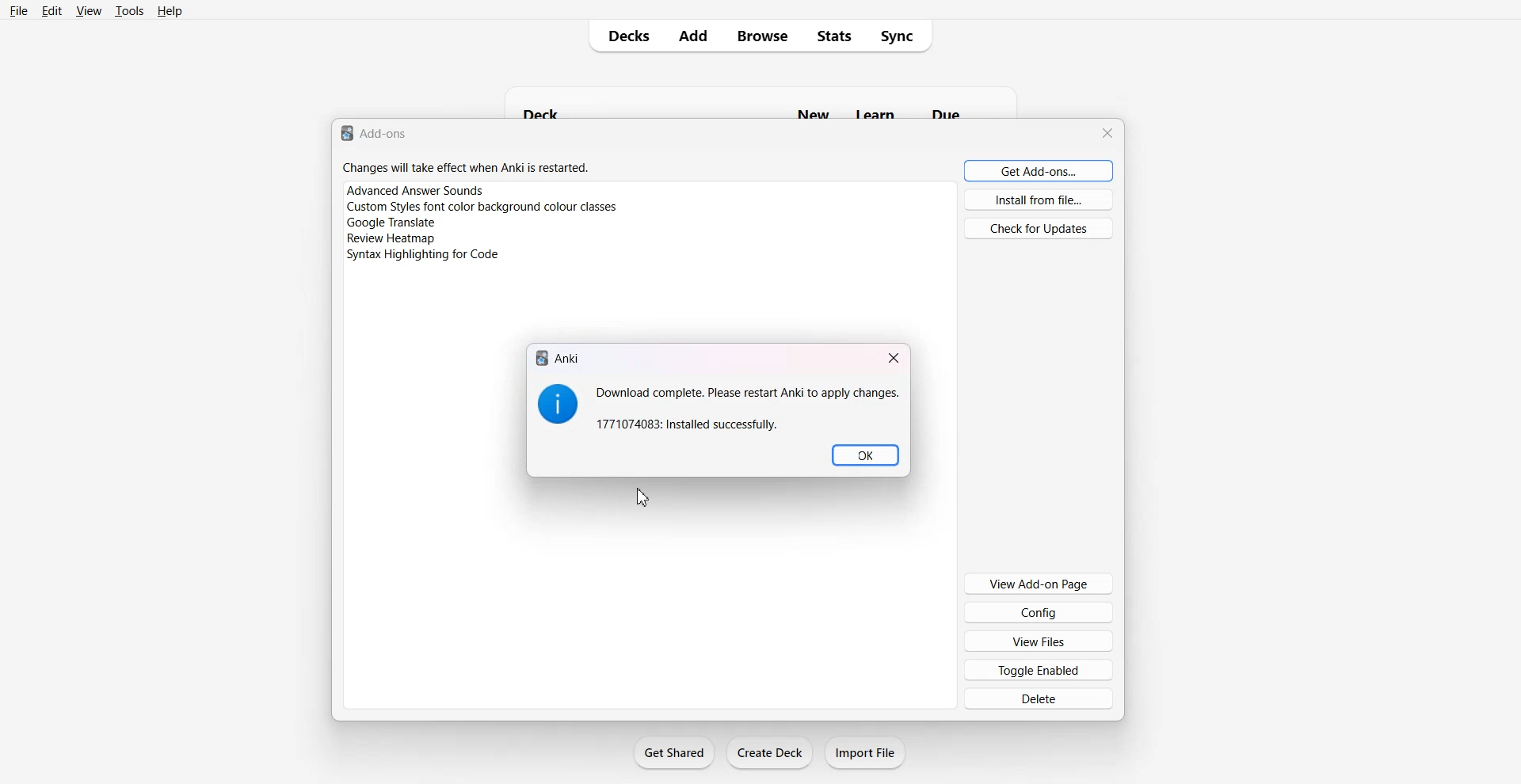  What do you see at coordinates (905, 36) in the screenshot?
I see `Sync` at bounding box center [905, 36].